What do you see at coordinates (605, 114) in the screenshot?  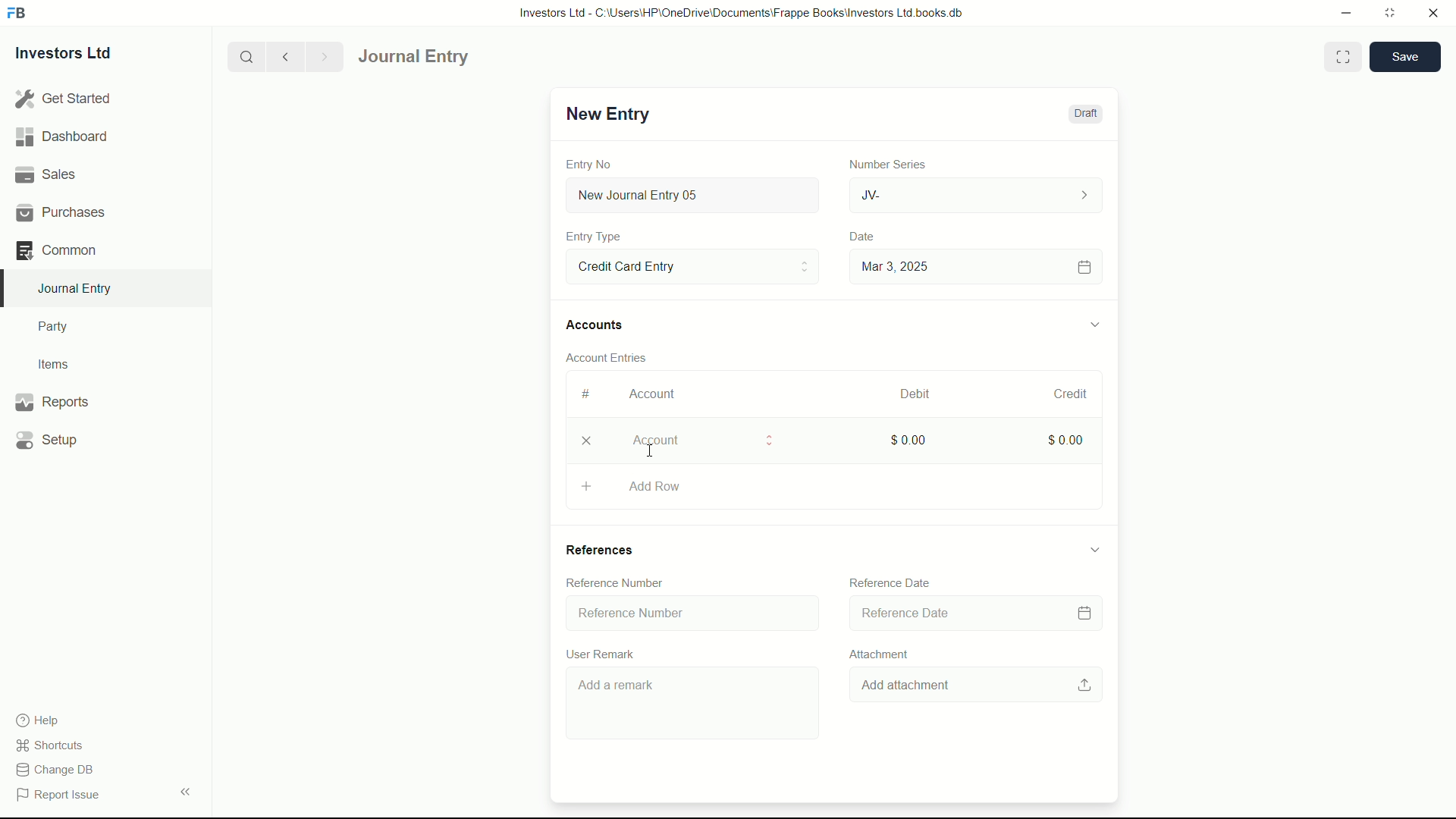 I see `New Entry` at bounding box center [605, 114].